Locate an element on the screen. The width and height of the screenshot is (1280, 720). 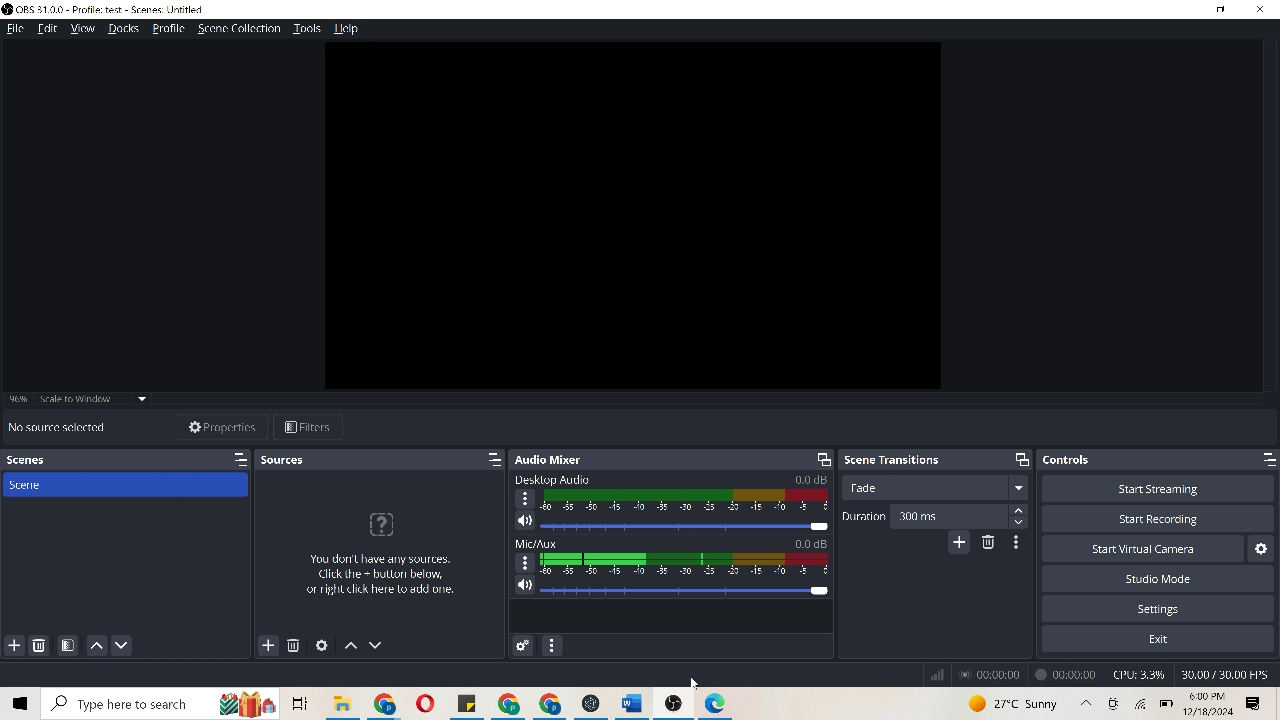
speaker is located at coordinates (524, 520).